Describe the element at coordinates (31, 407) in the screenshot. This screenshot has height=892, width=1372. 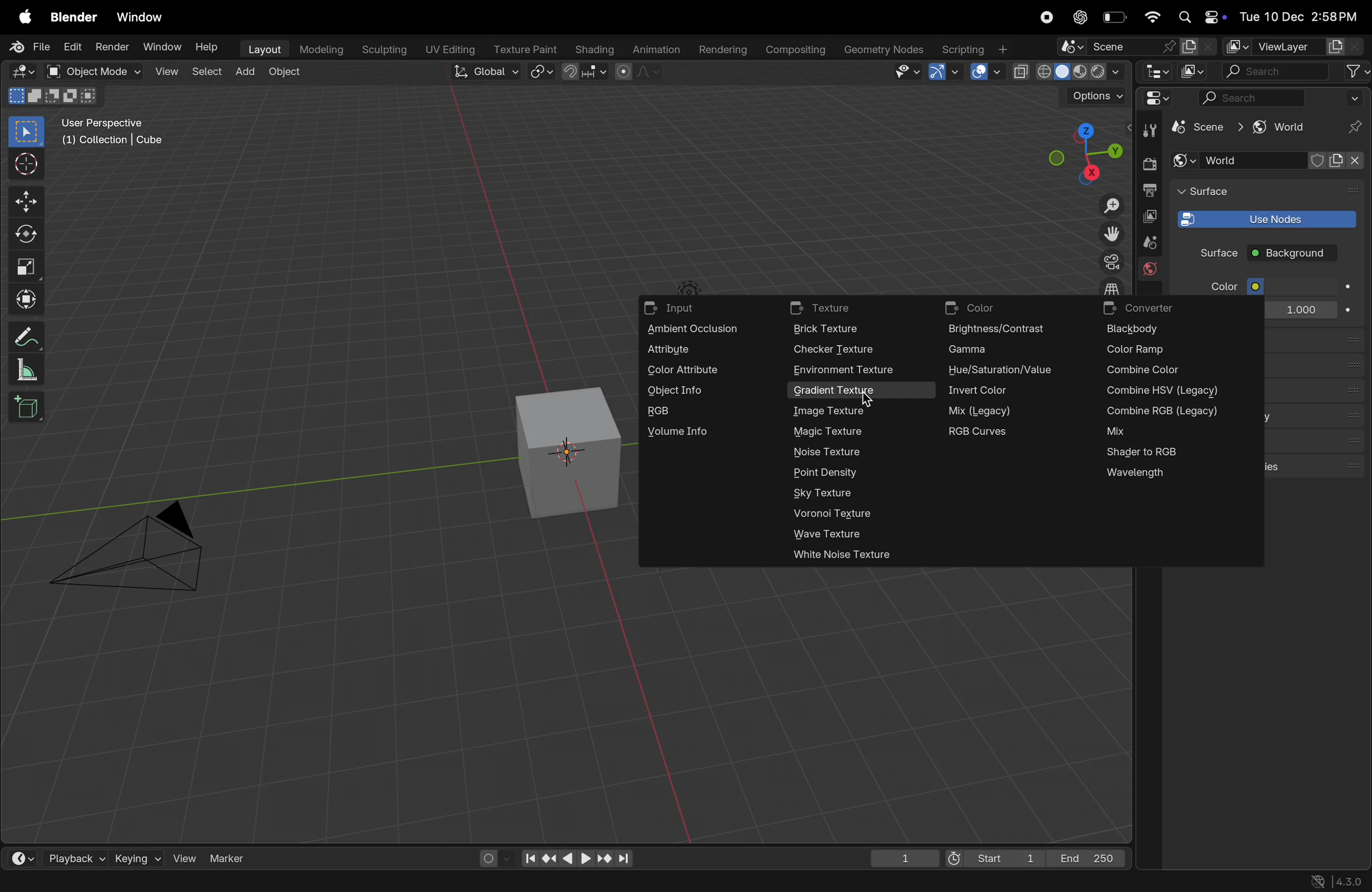
I see `add cube` at that location.